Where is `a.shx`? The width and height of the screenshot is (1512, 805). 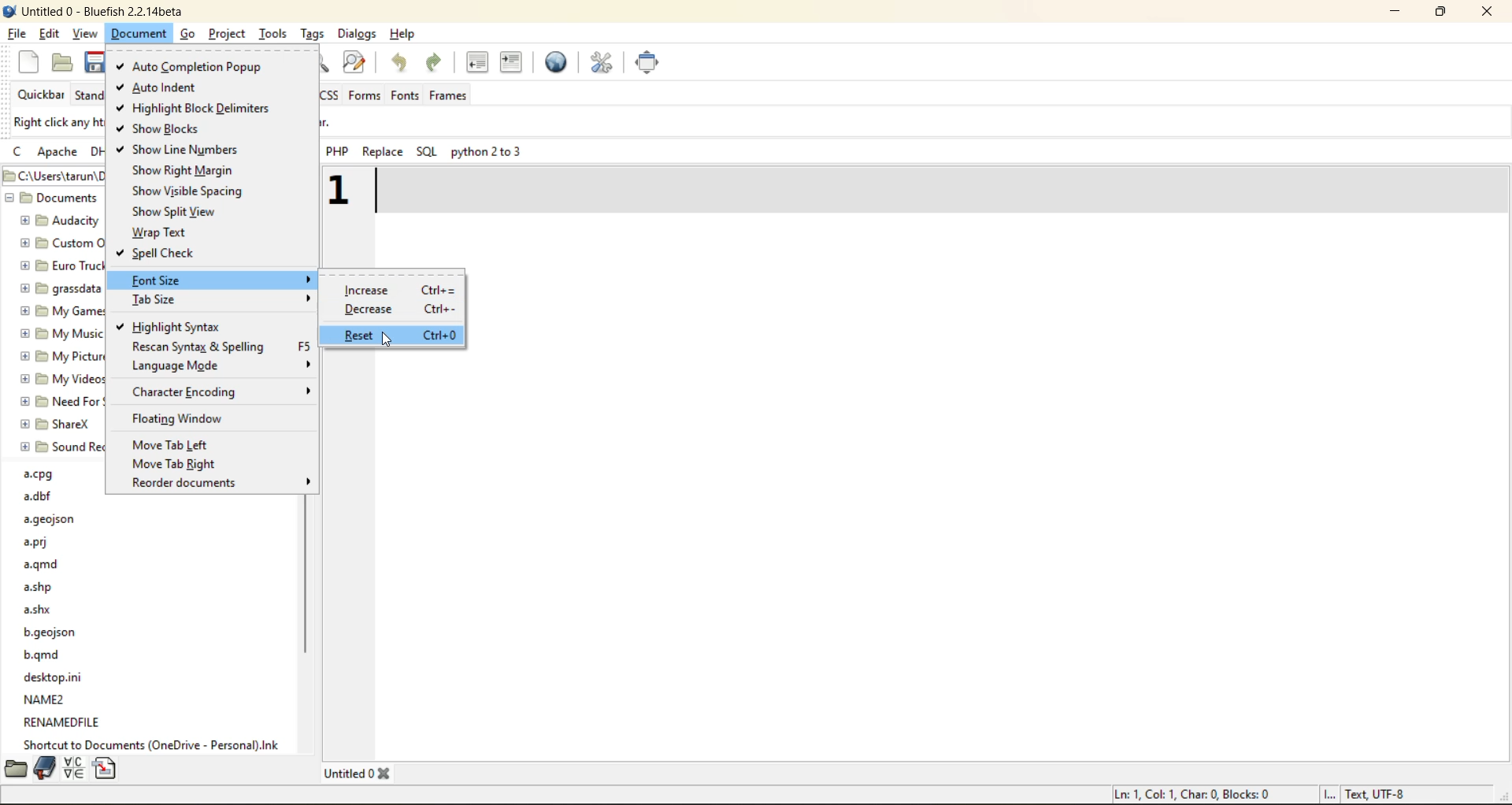 a.shx is located at coordinates (39, 608).